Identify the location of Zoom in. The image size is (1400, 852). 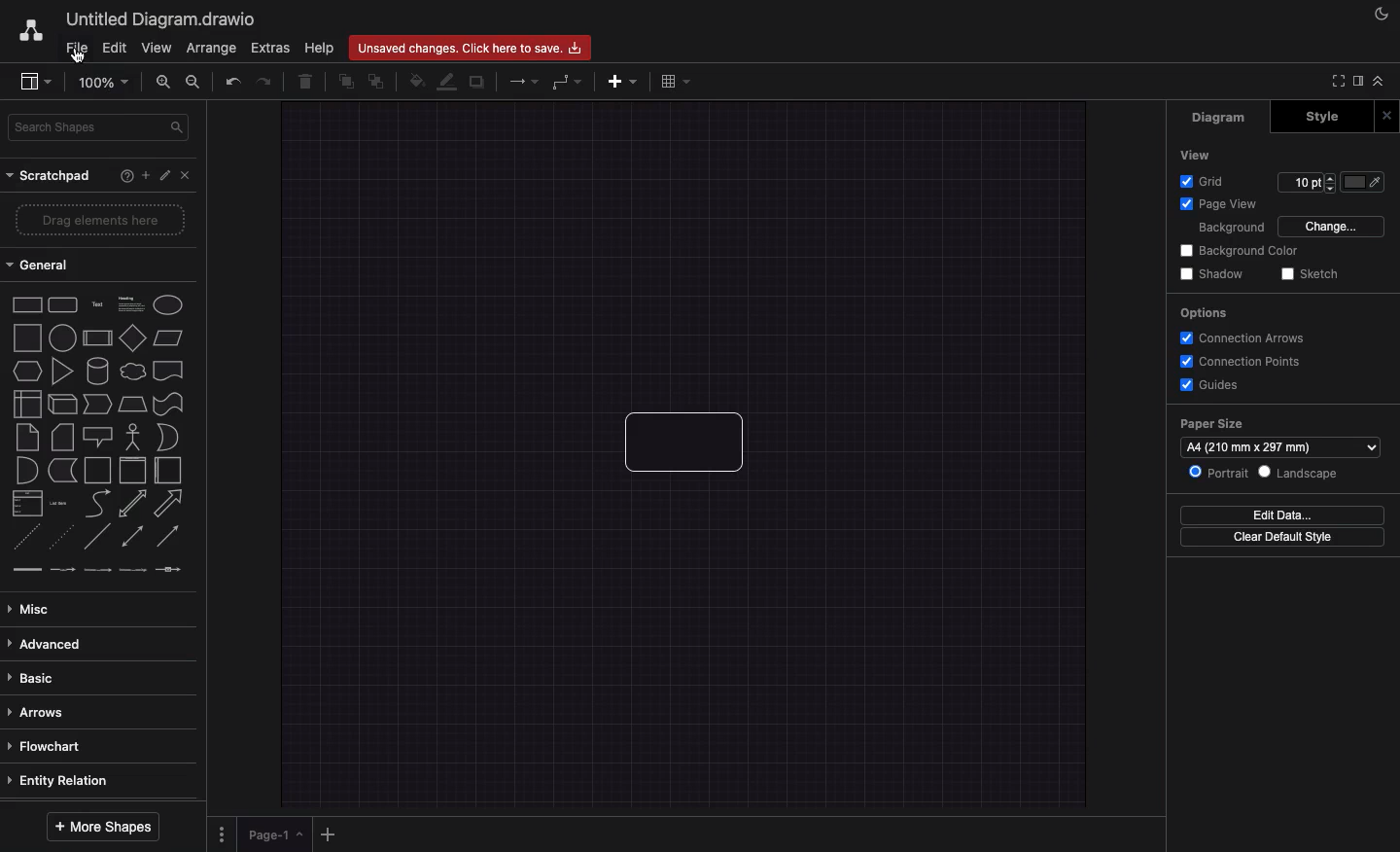
(162, 83).